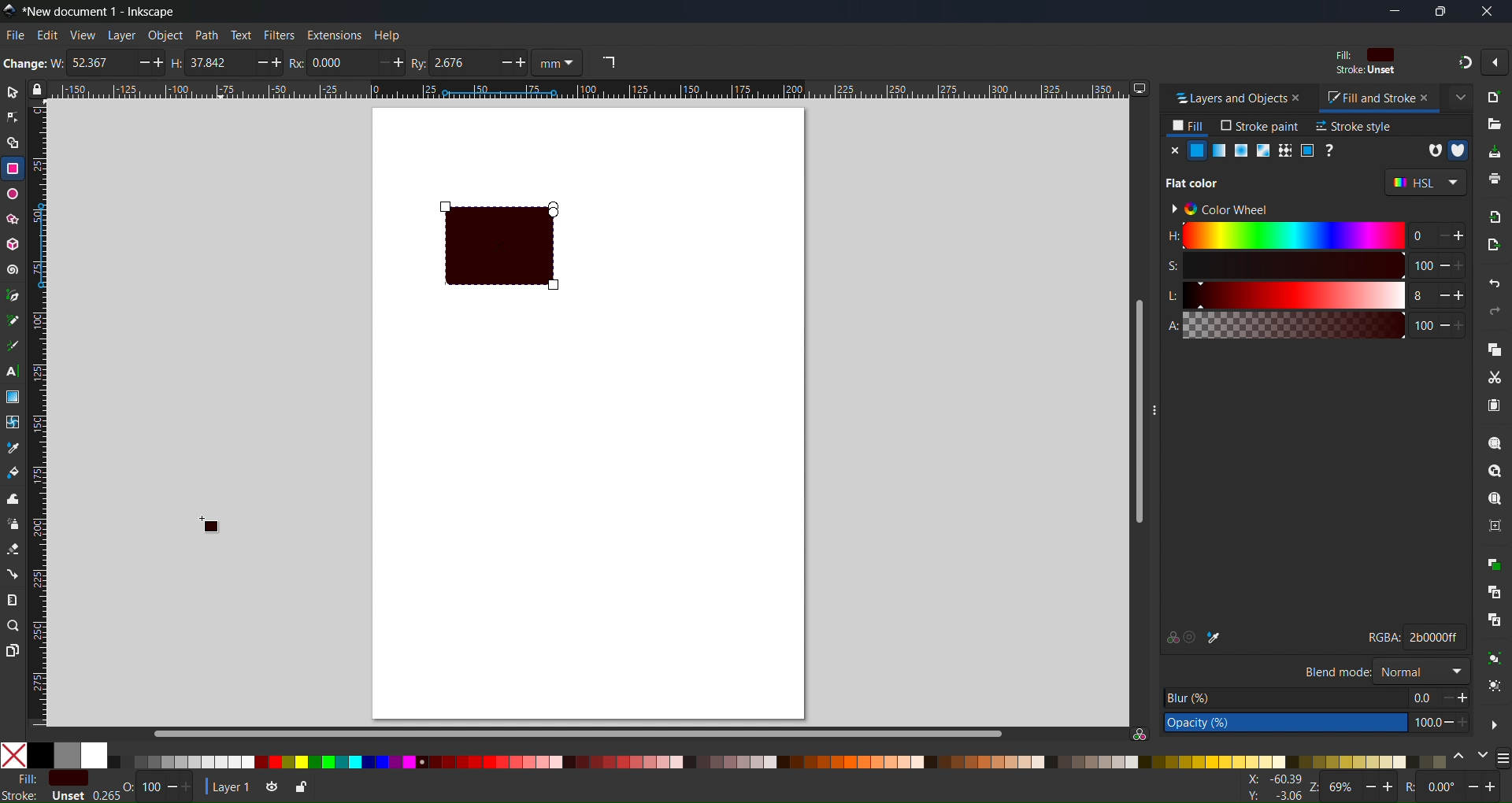 The width and height of the screenshot is (1512, 803). I want to click on Open file dailogue, so click(1494, 121).